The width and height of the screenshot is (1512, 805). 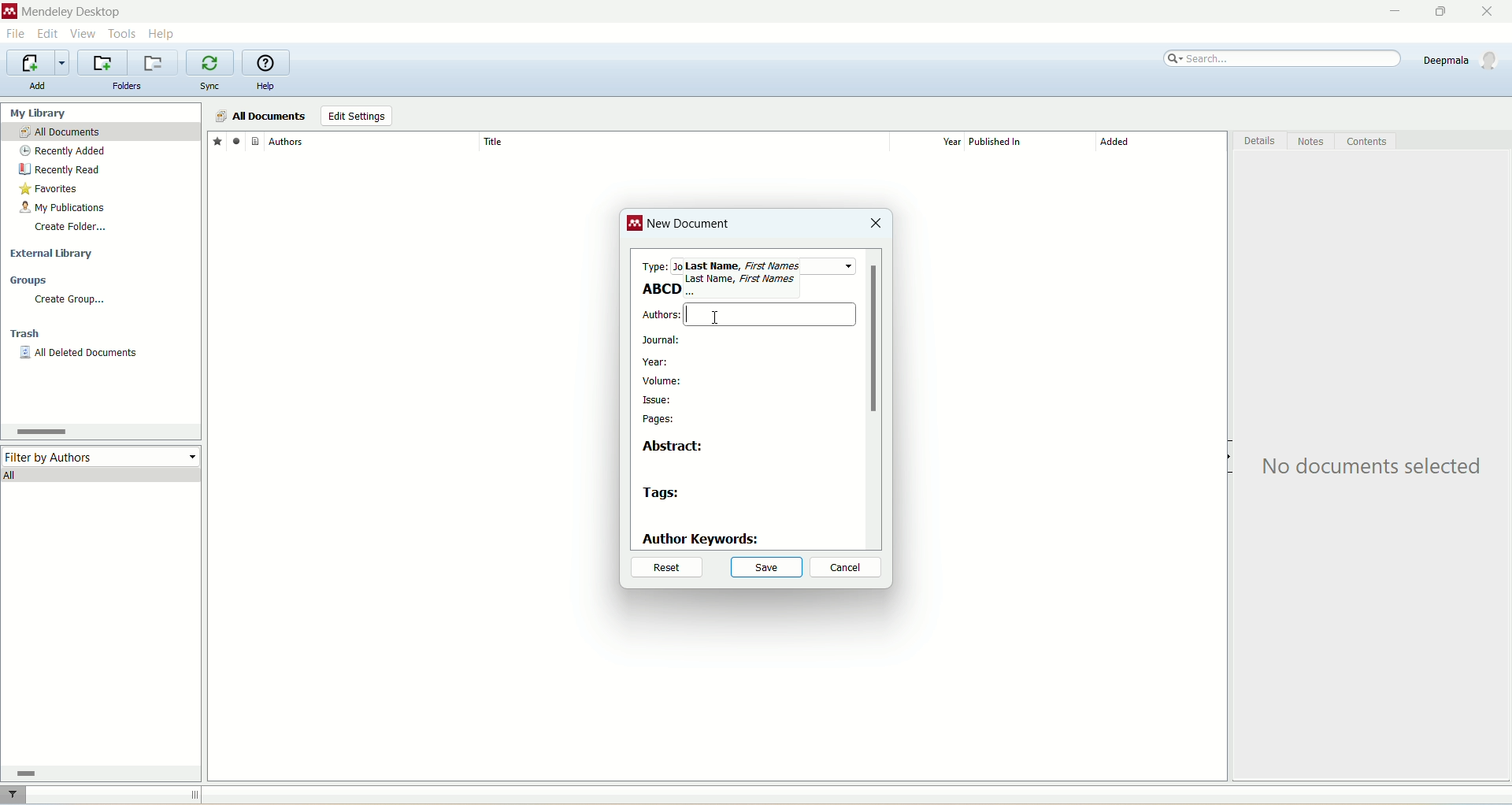 What do you see at coordinates (155, 62) in the screenshot?
I see `remove current folder` at bounding box center [155, 62].